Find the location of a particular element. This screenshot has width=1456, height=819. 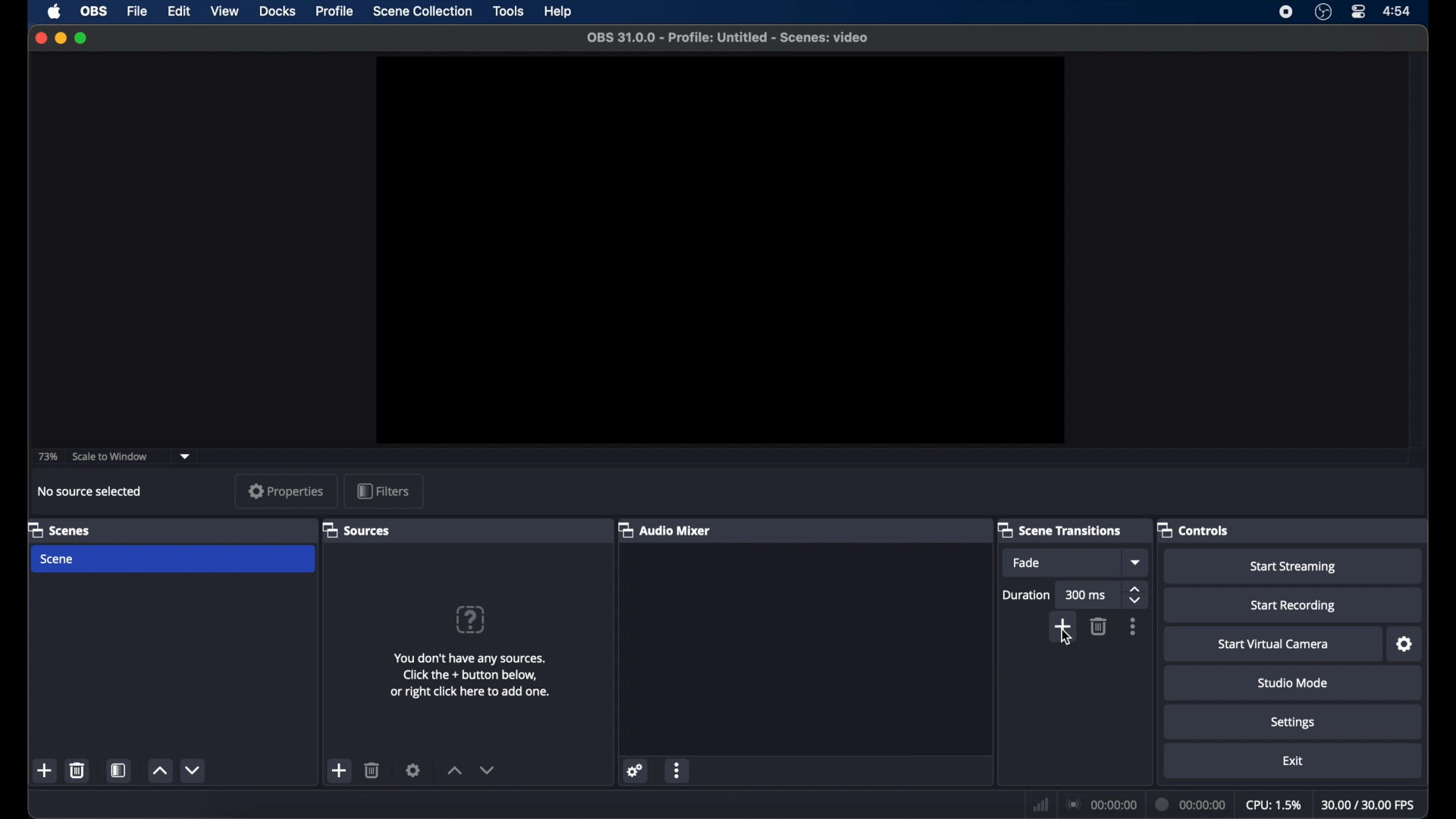

obs is located at coordinates (93, 11).